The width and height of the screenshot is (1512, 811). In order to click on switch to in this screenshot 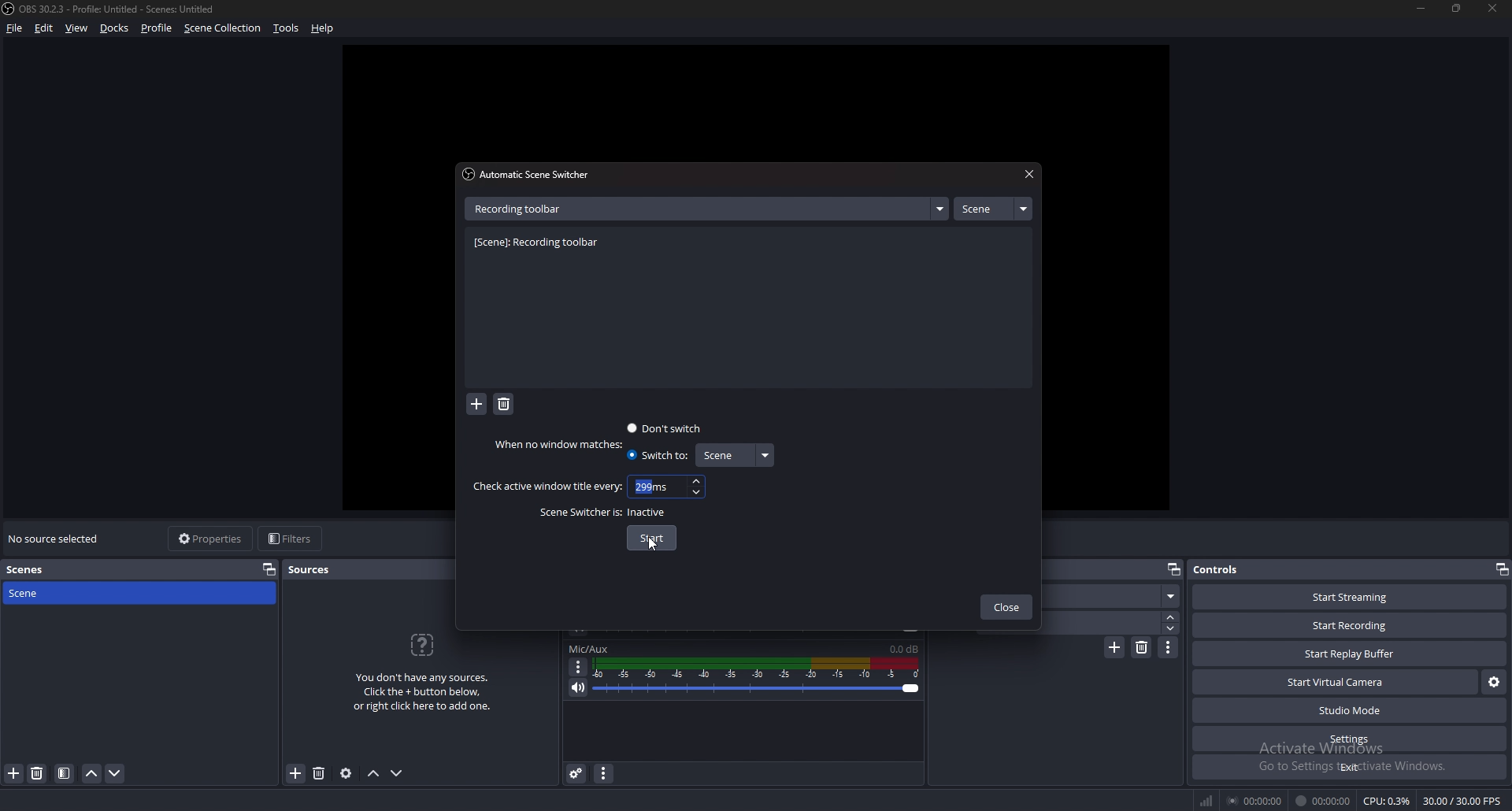, I will do `click(657, 455)`.